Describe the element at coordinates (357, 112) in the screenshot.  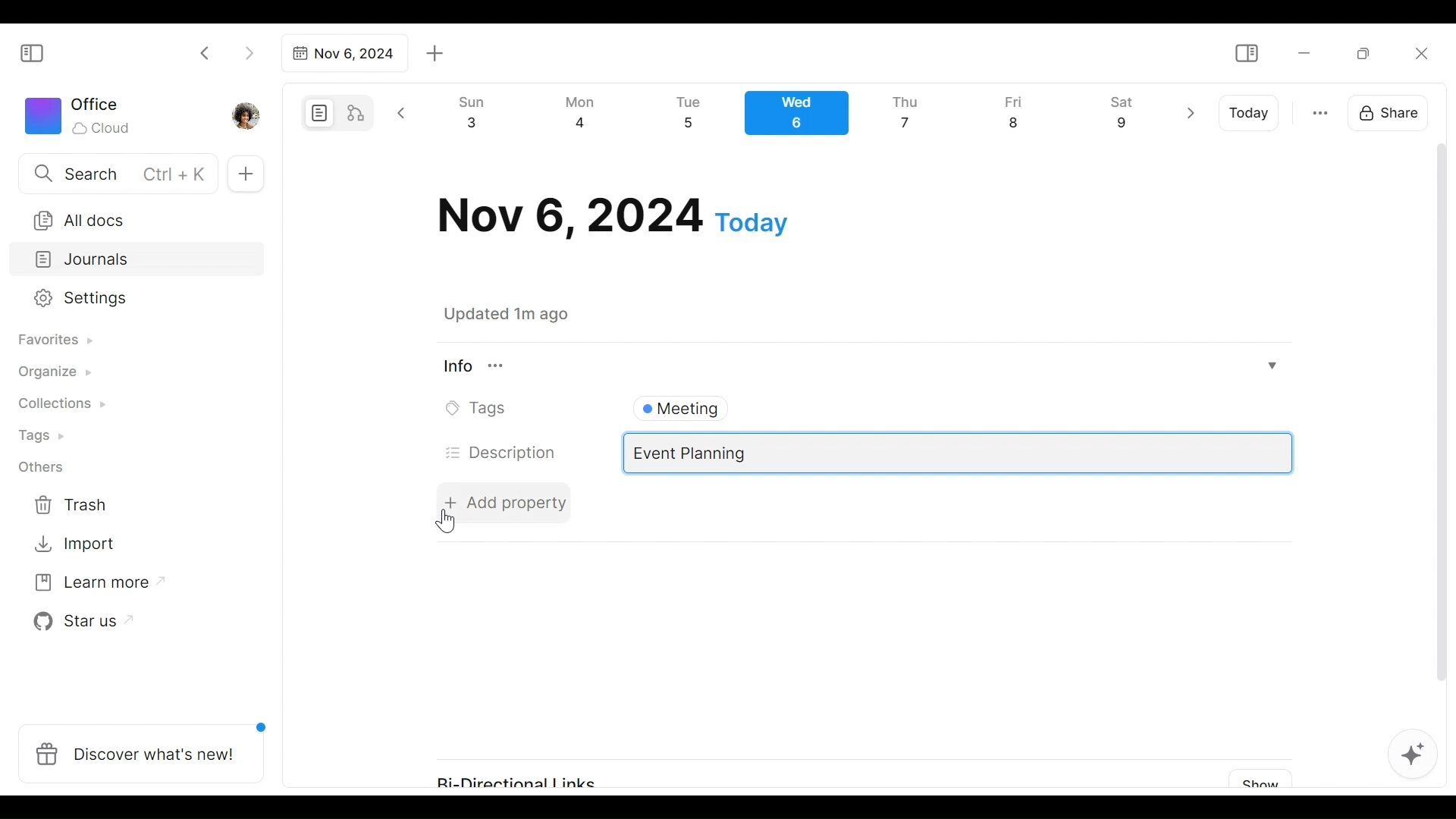
I see `Edgeless mode` at that location.